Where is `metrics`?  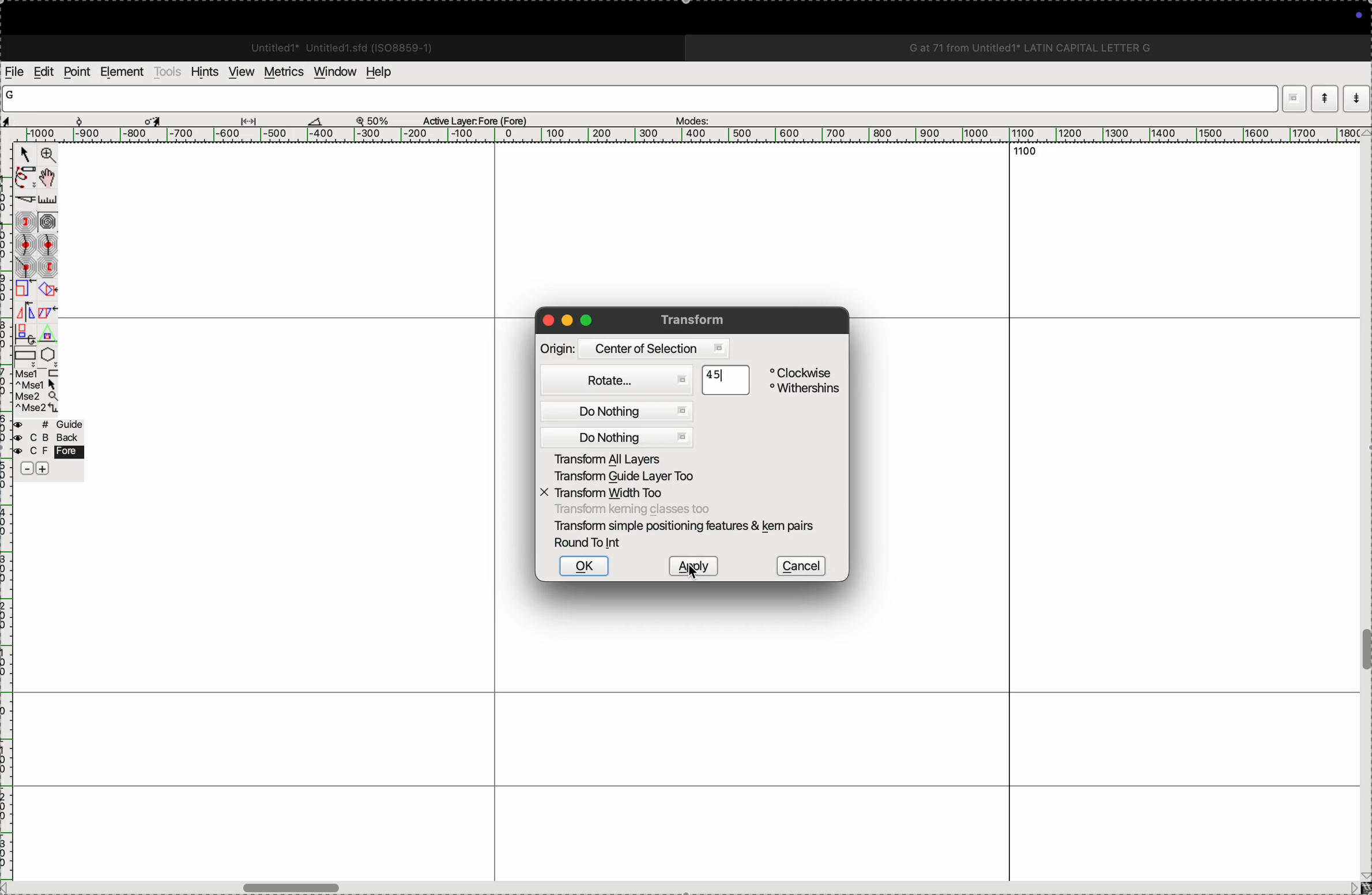 metrics is located at coordinates (285, 71).